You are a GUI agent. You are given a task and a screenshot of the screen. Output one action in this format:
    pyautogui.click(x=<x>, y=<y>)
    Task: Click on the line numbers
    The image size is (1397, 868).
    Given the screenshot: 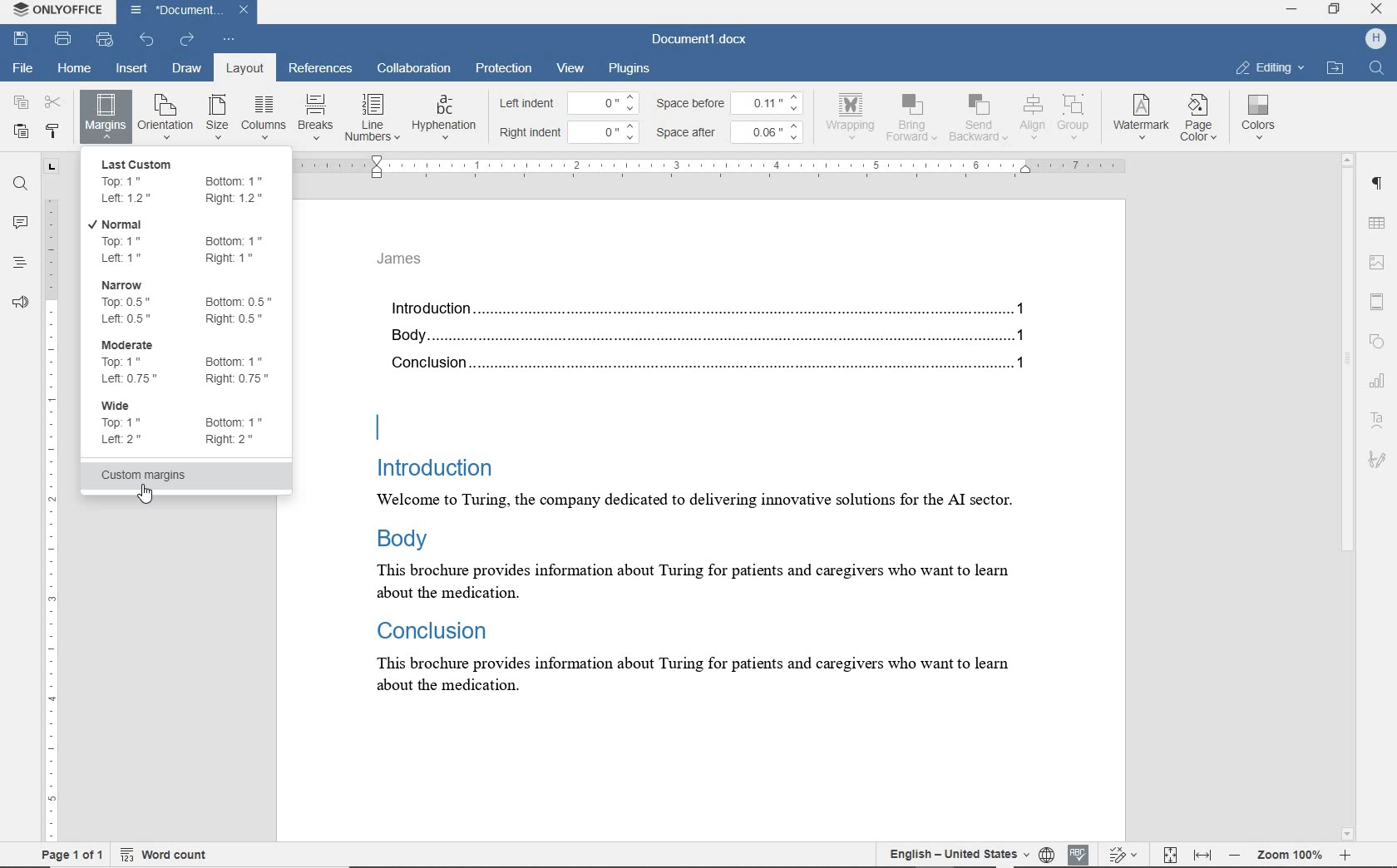 What is the action you would take?
    pyautogui.click(x=371, y=117)
    